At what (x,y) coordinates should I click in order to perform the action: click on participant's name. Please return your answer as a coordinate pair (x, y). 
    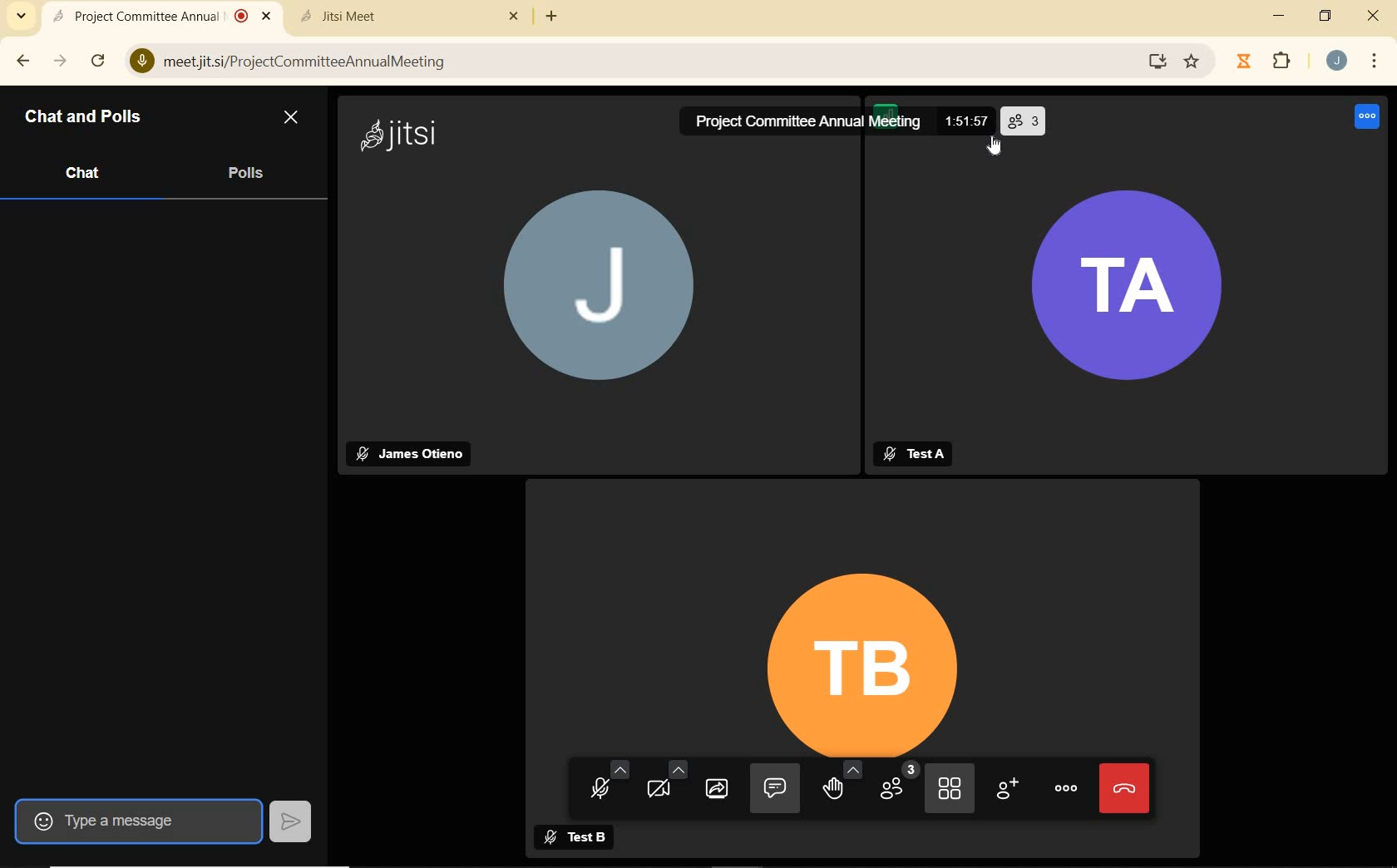
    Looking at the image, I should click on (931, 452).